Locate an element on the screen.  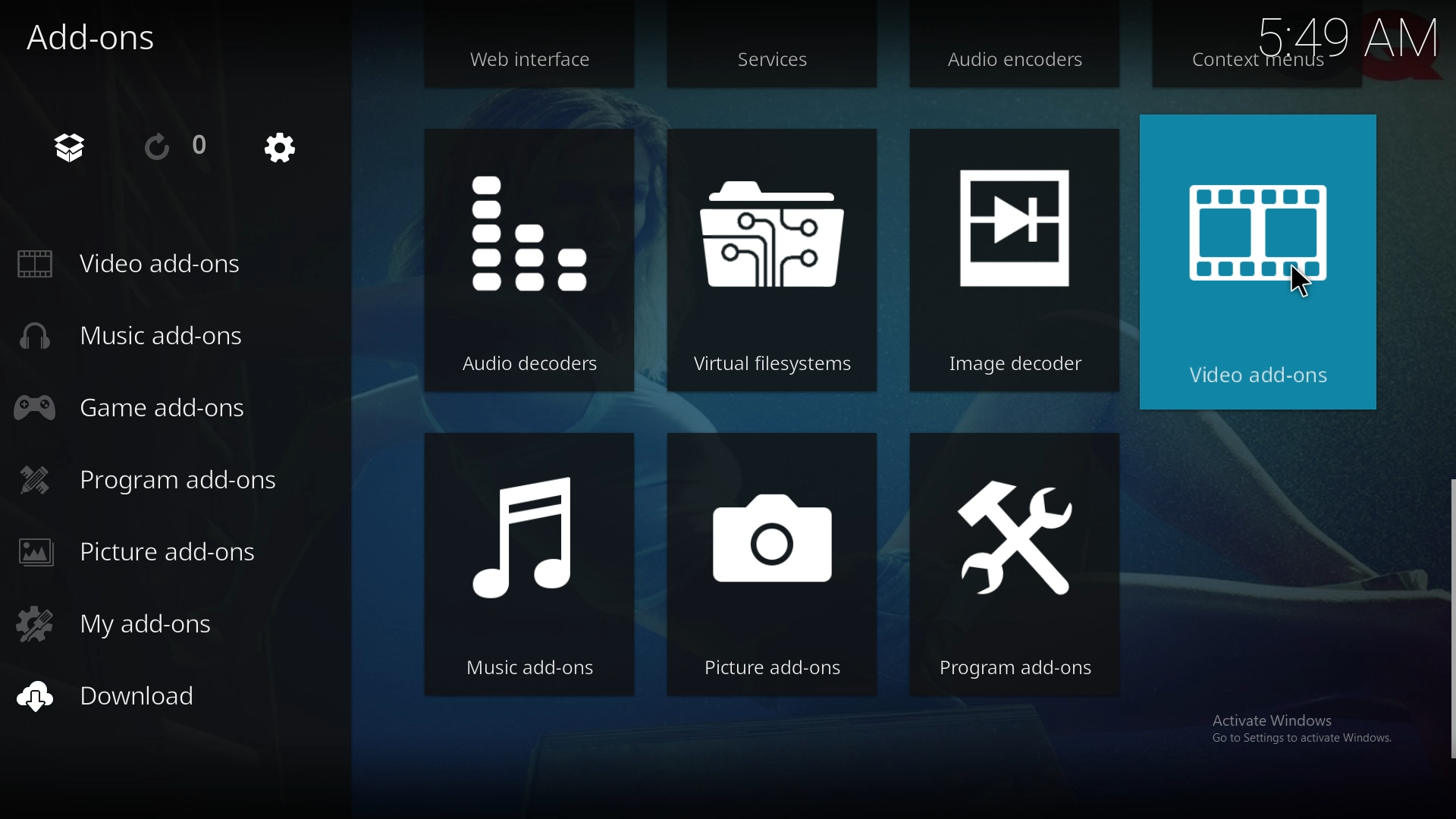
music add ons is located at coordinates (137, 334).